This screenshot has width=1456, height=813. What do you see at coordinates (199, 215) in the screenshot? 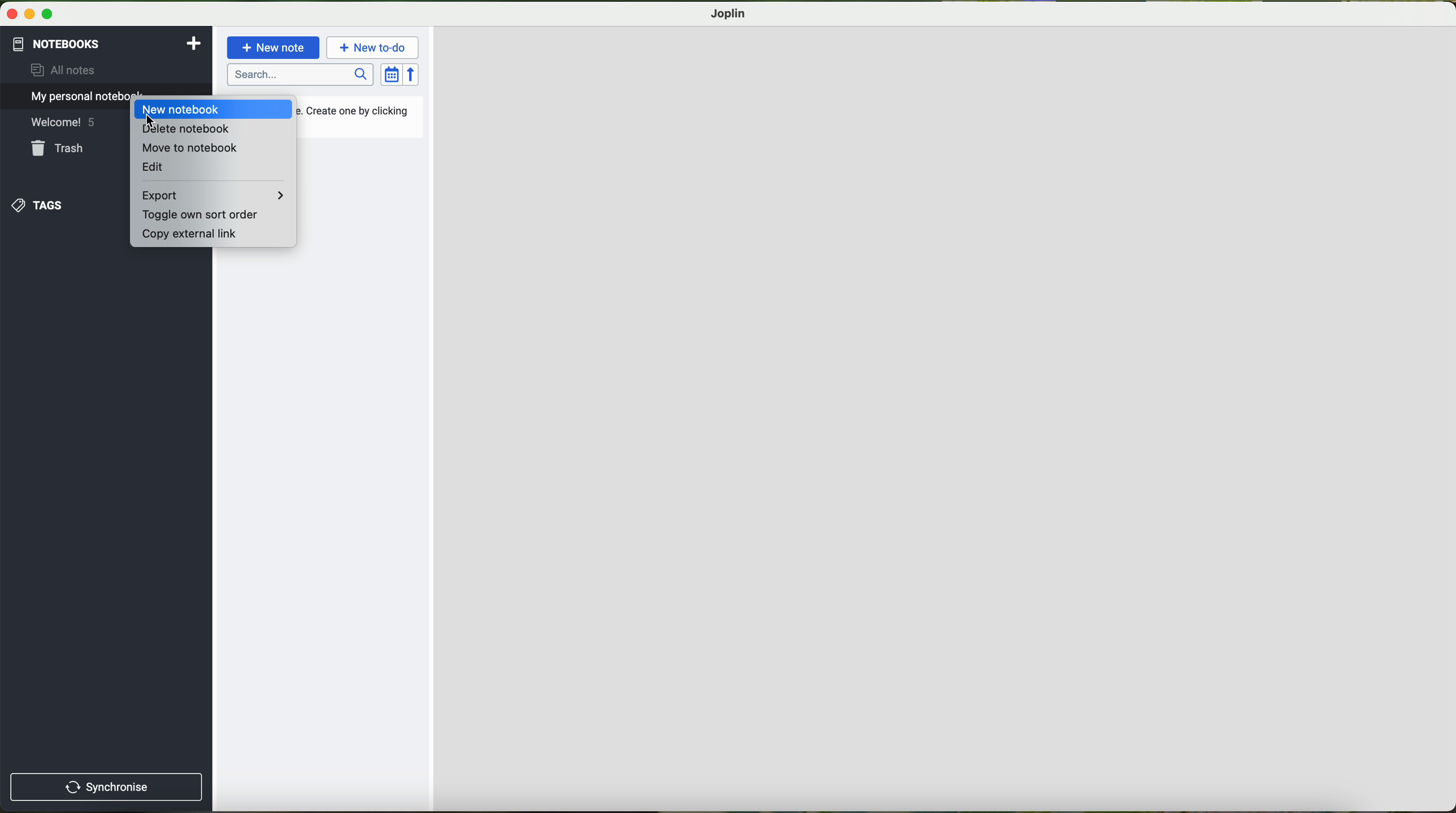
I see `toggle own sort order` at bounding box center [199, 215].